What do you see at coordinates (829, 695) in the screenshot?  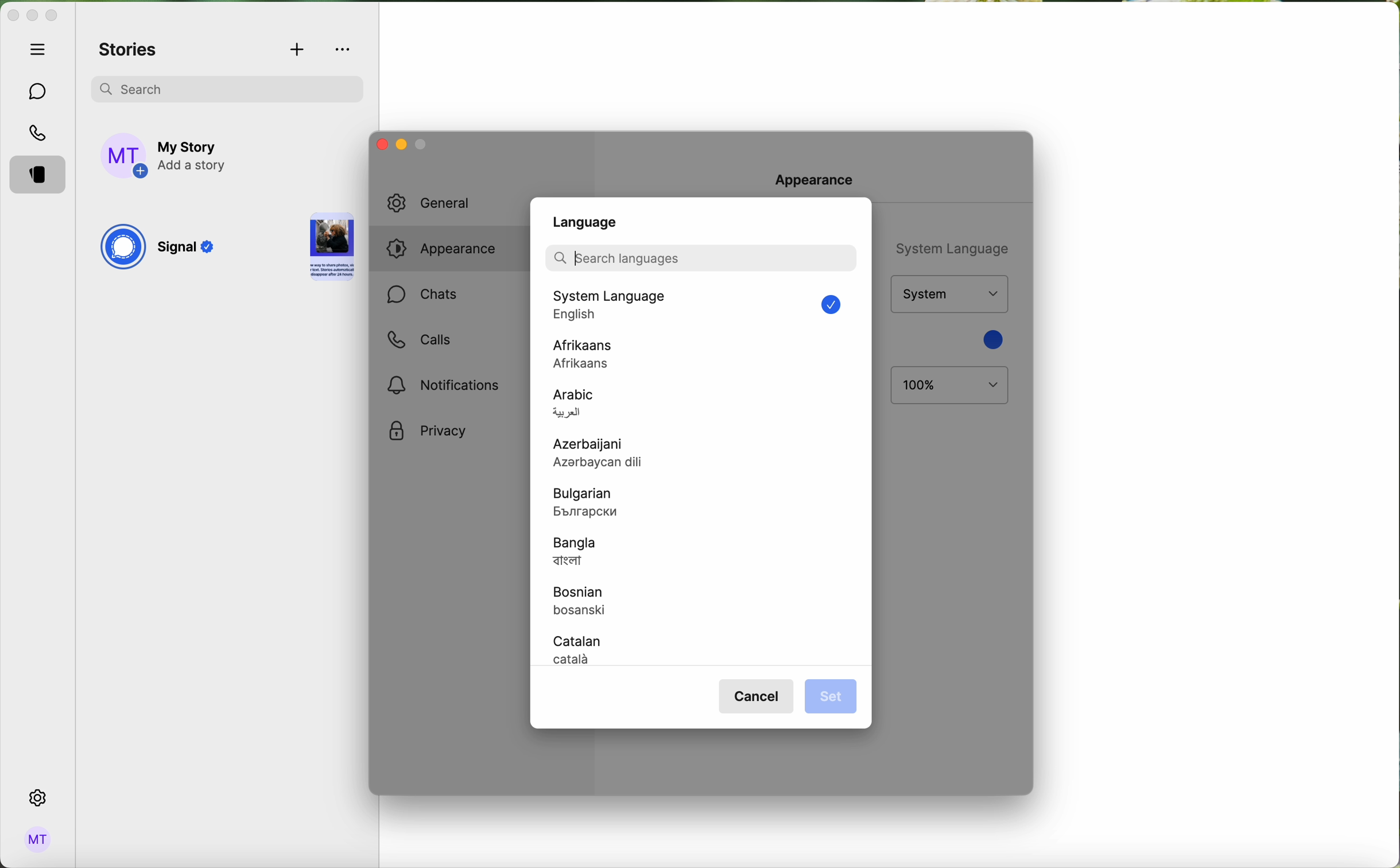 I see `disable set button` at bounding box center [829, 695].